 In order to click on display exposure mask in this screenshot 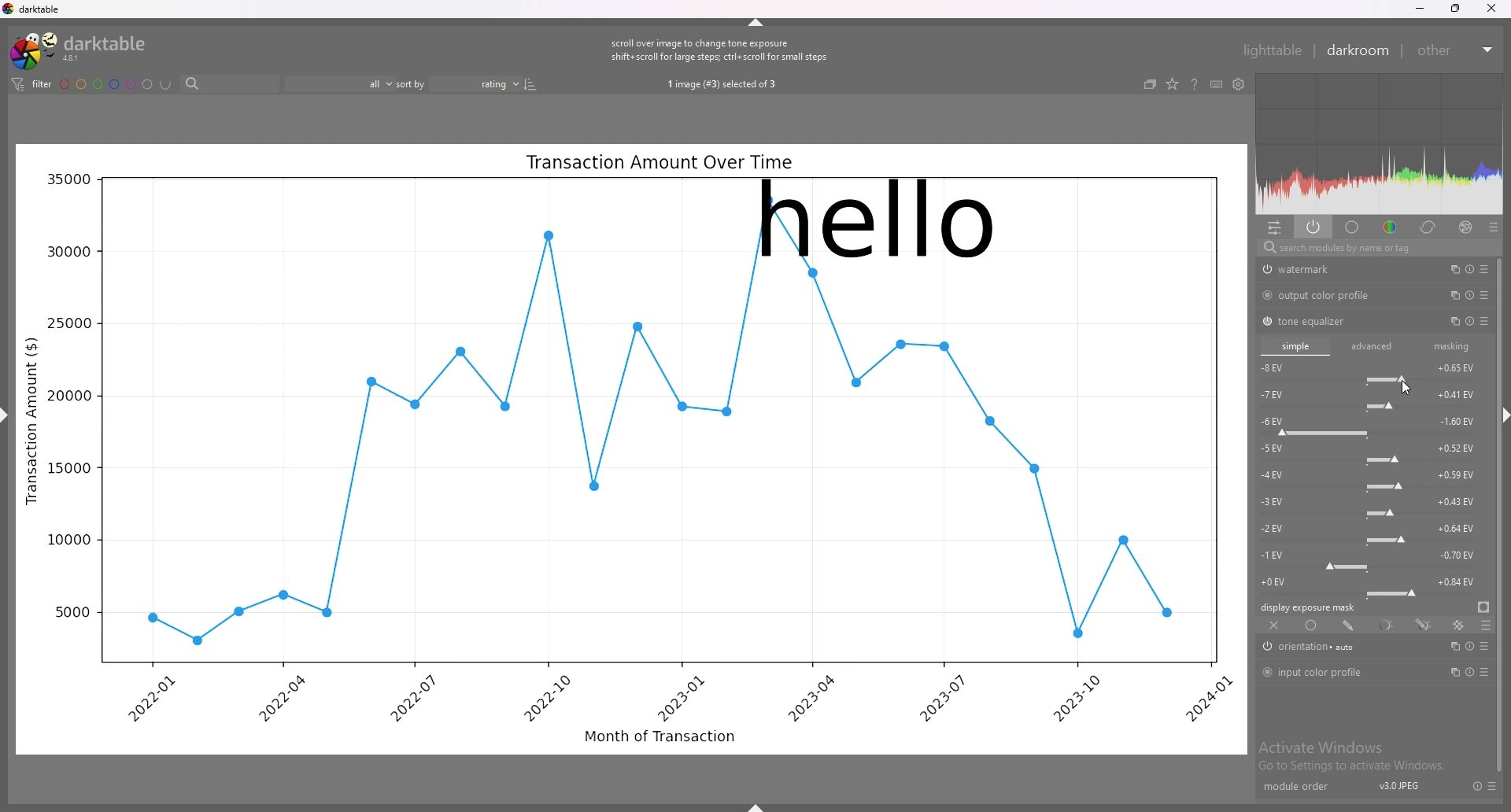, I will do `click(1309, 607)`.